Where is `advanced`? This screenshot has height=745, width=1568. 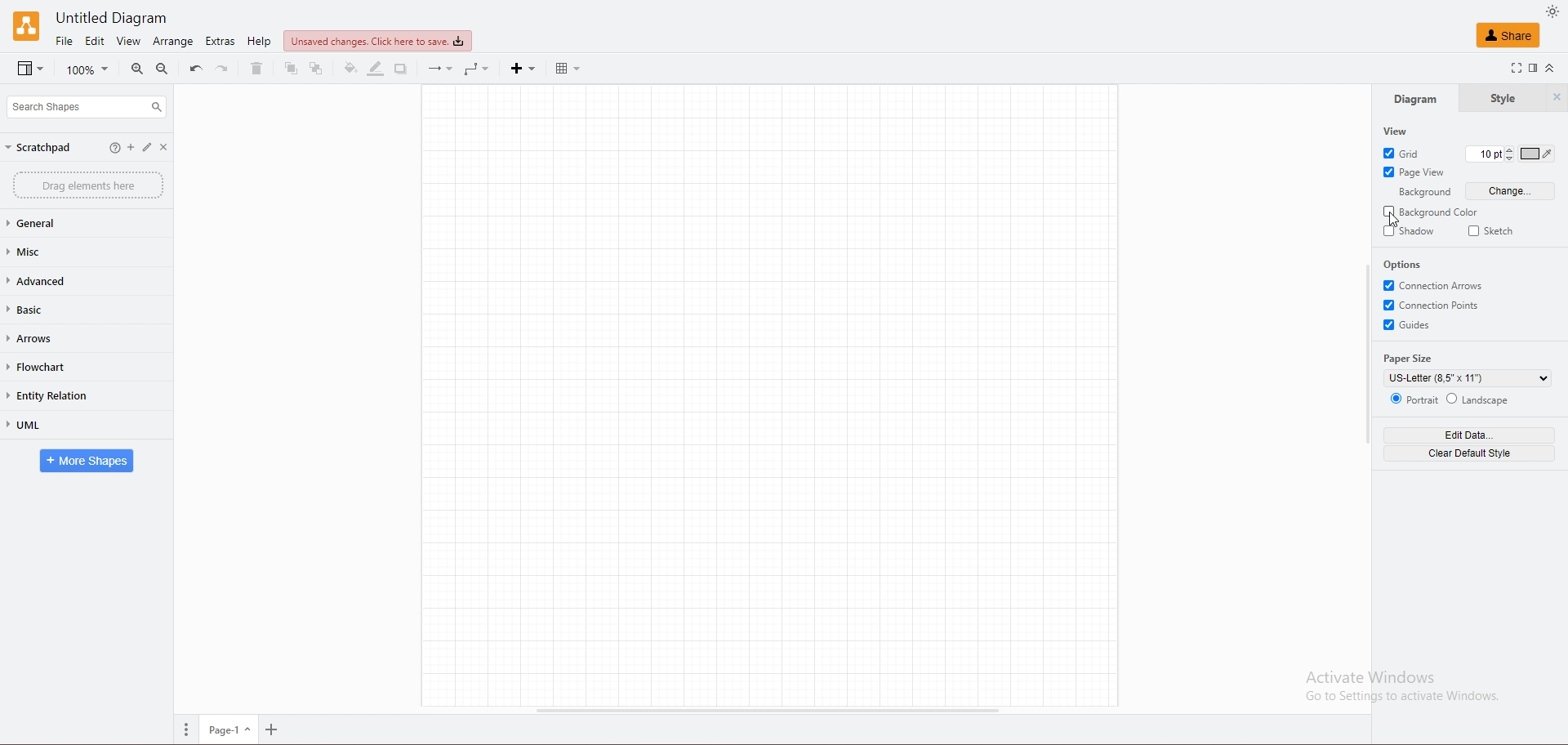
advanced is located at coordinates (69, 280).